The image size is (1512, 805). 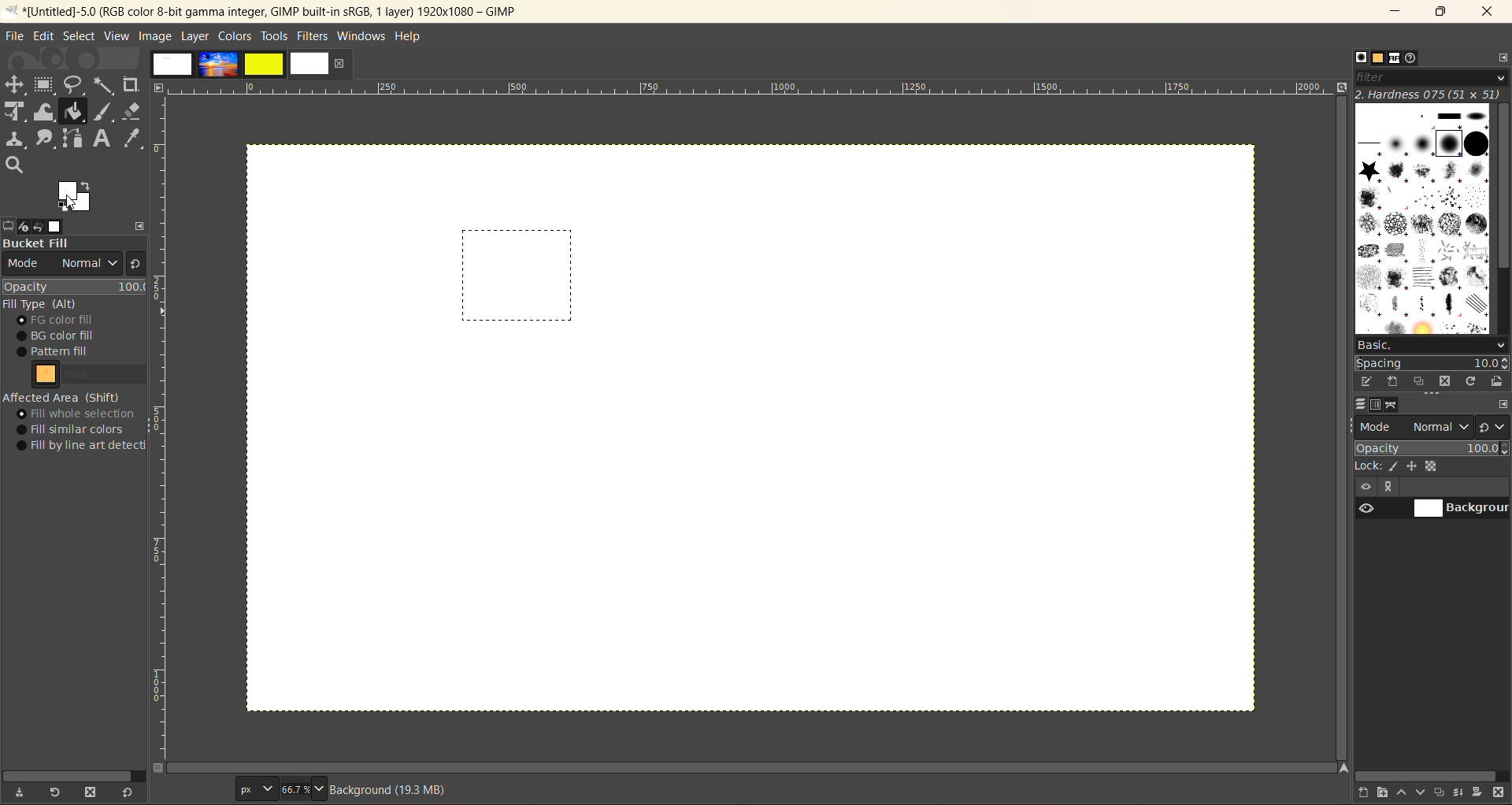 What do you see at coordinates (9, 225) in the screenshot?
I see `tool options` at bounding box center [9, 225].